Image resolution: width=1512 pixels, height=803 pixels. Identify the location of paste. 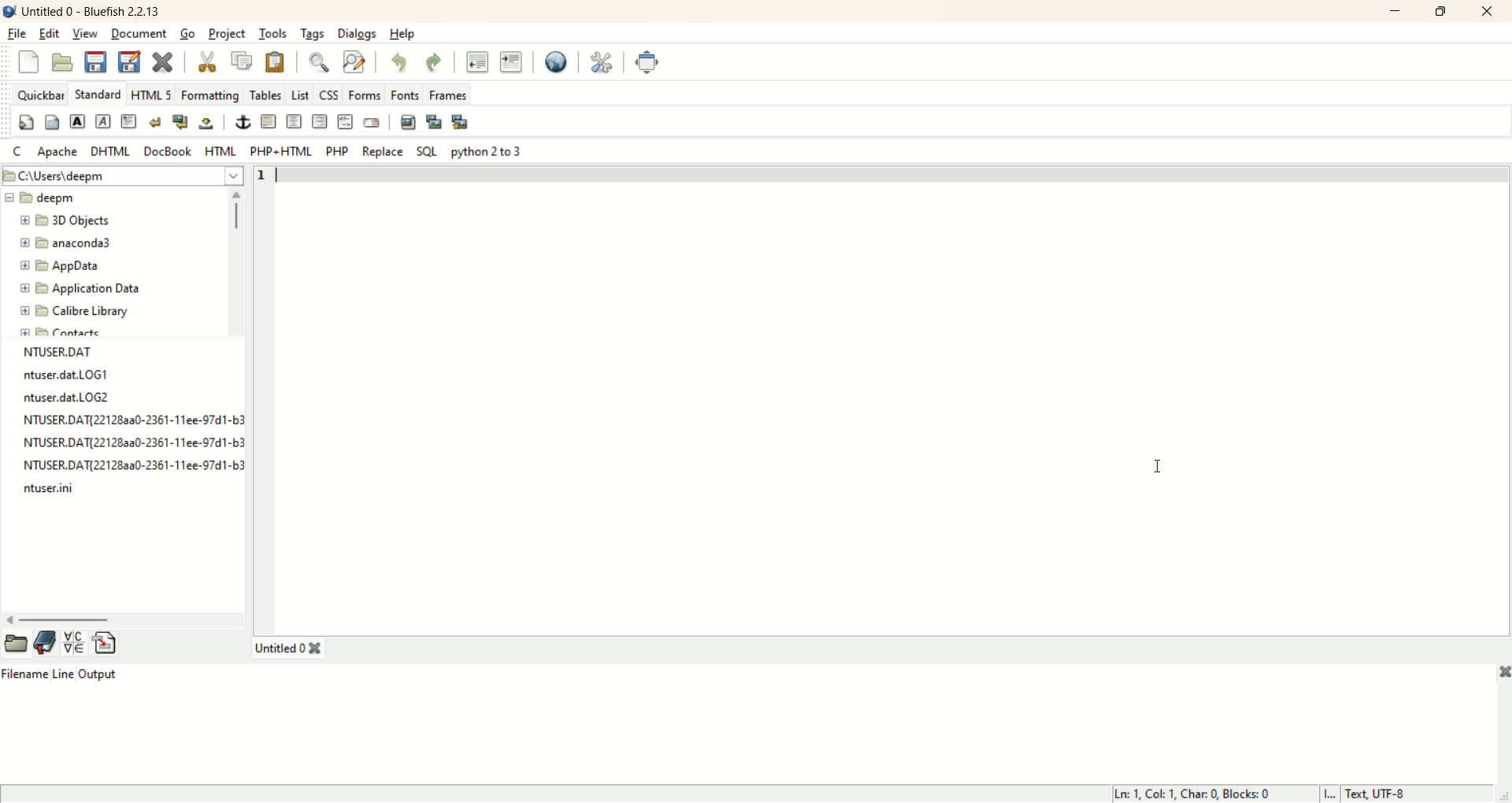
(274, 62).